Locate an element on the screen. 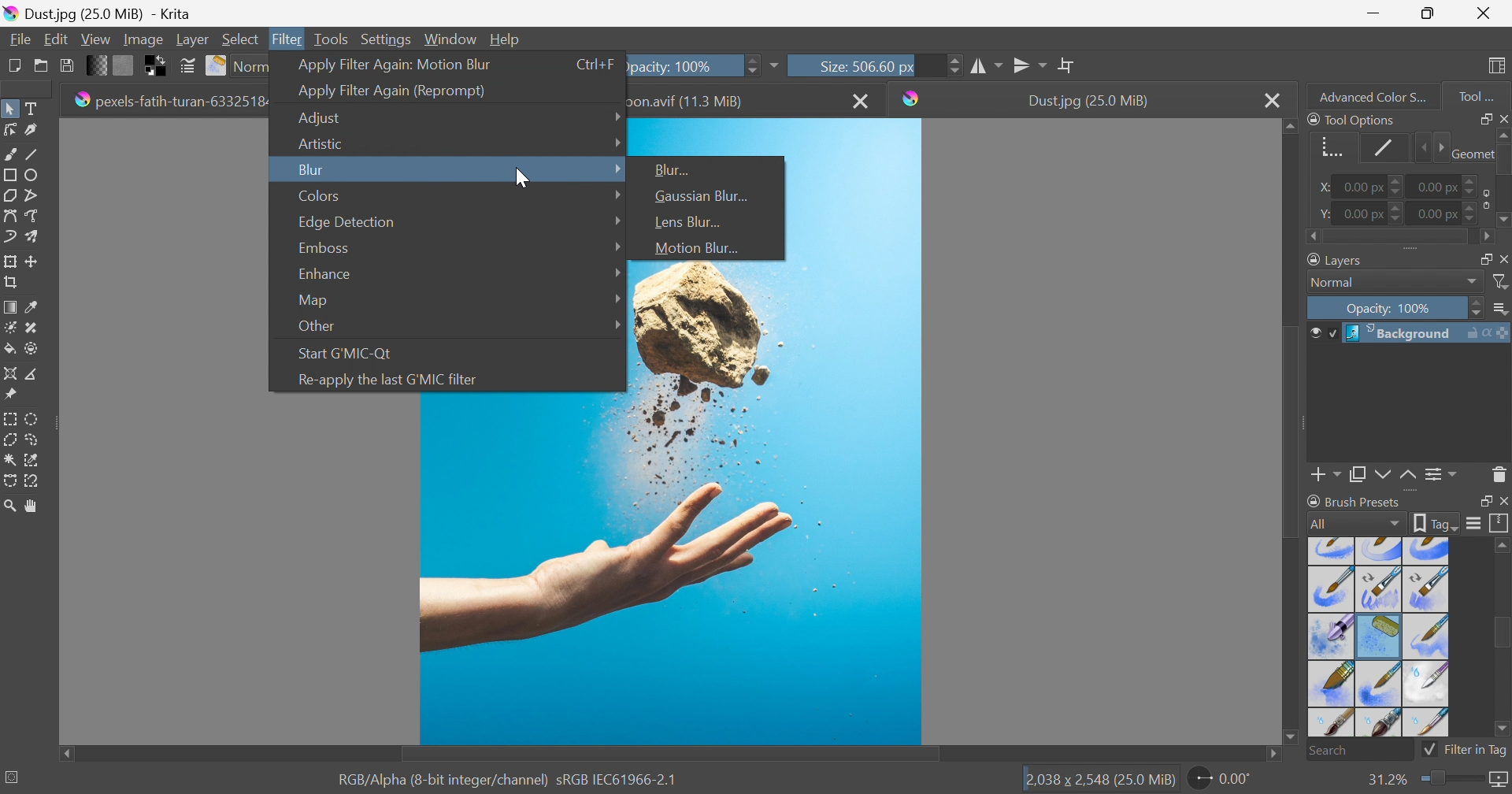 The image size is (1512, 794). Close is located at coordinates (862, 100).